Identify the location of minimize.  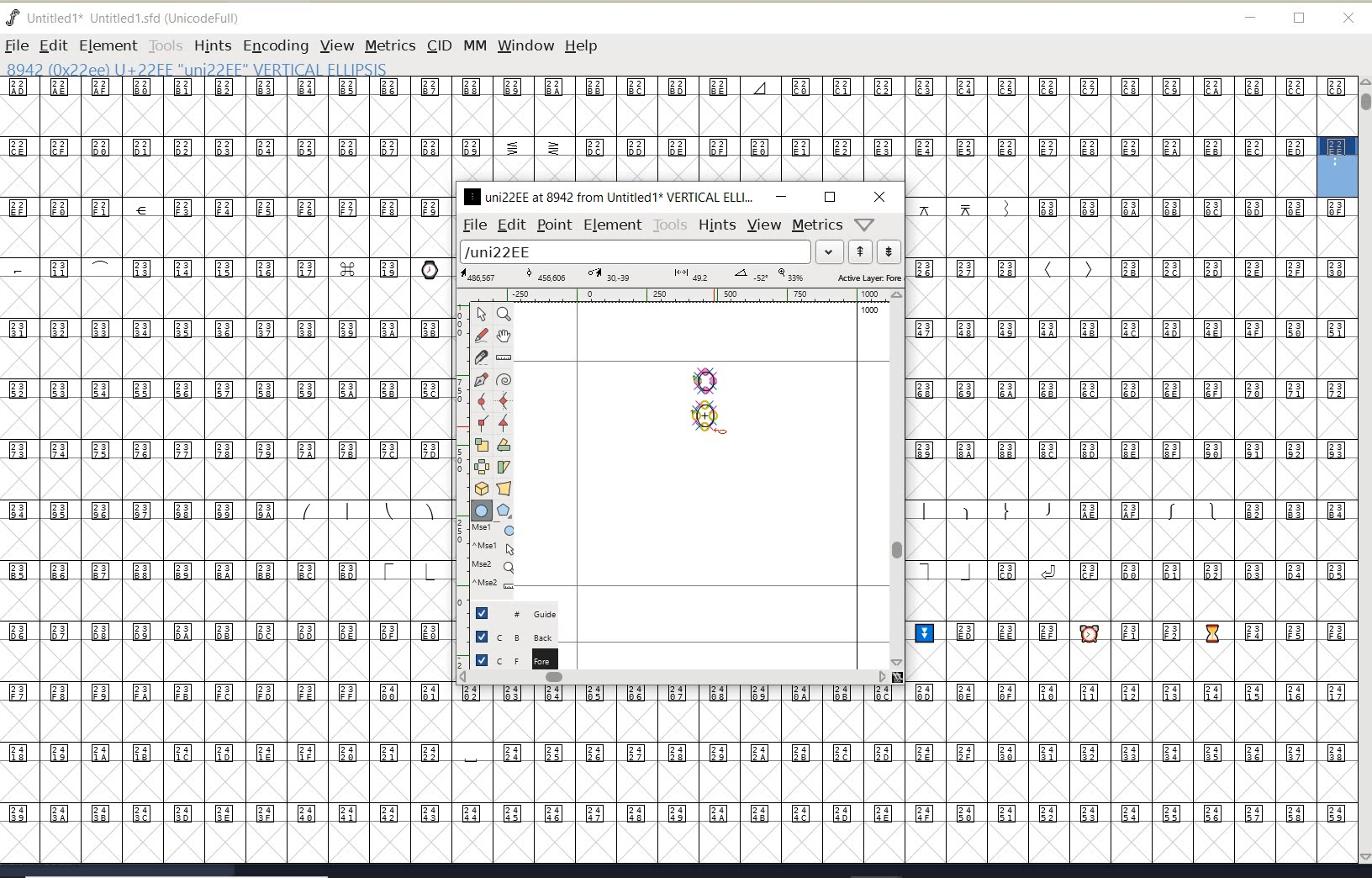
(781, 196).